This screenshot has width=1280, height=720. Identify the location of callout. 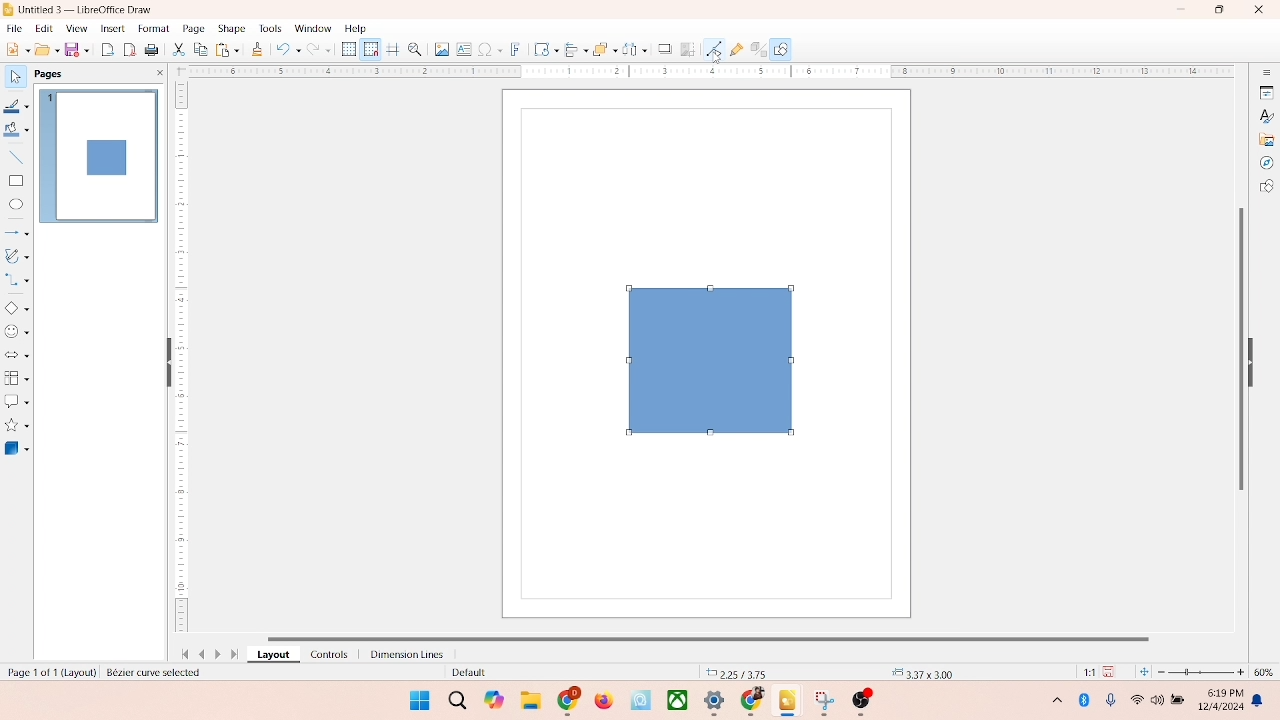
(16, 401).